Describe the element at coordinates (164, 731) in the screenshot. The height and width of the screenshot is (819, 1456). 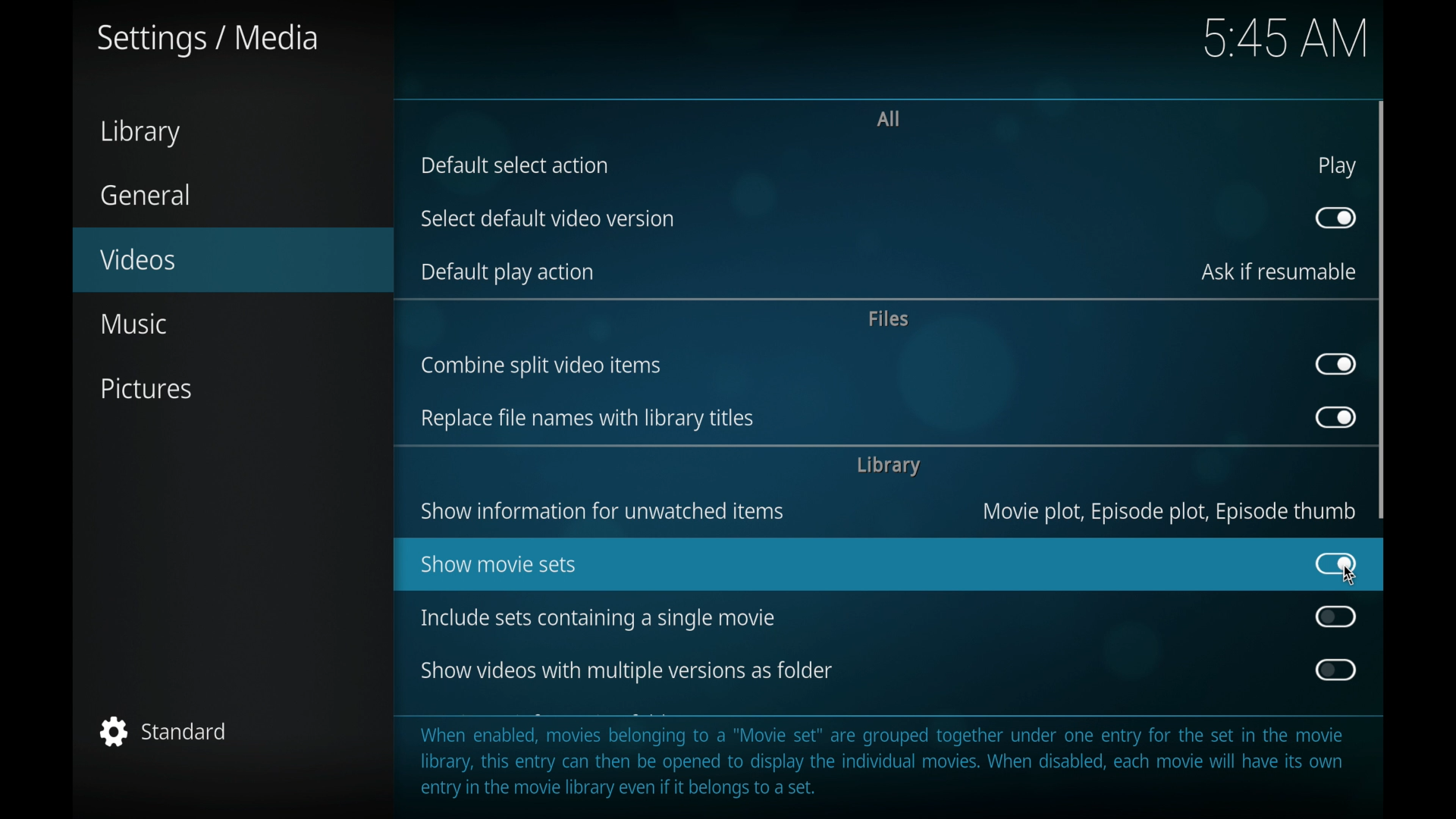
I see `standard` at that location.